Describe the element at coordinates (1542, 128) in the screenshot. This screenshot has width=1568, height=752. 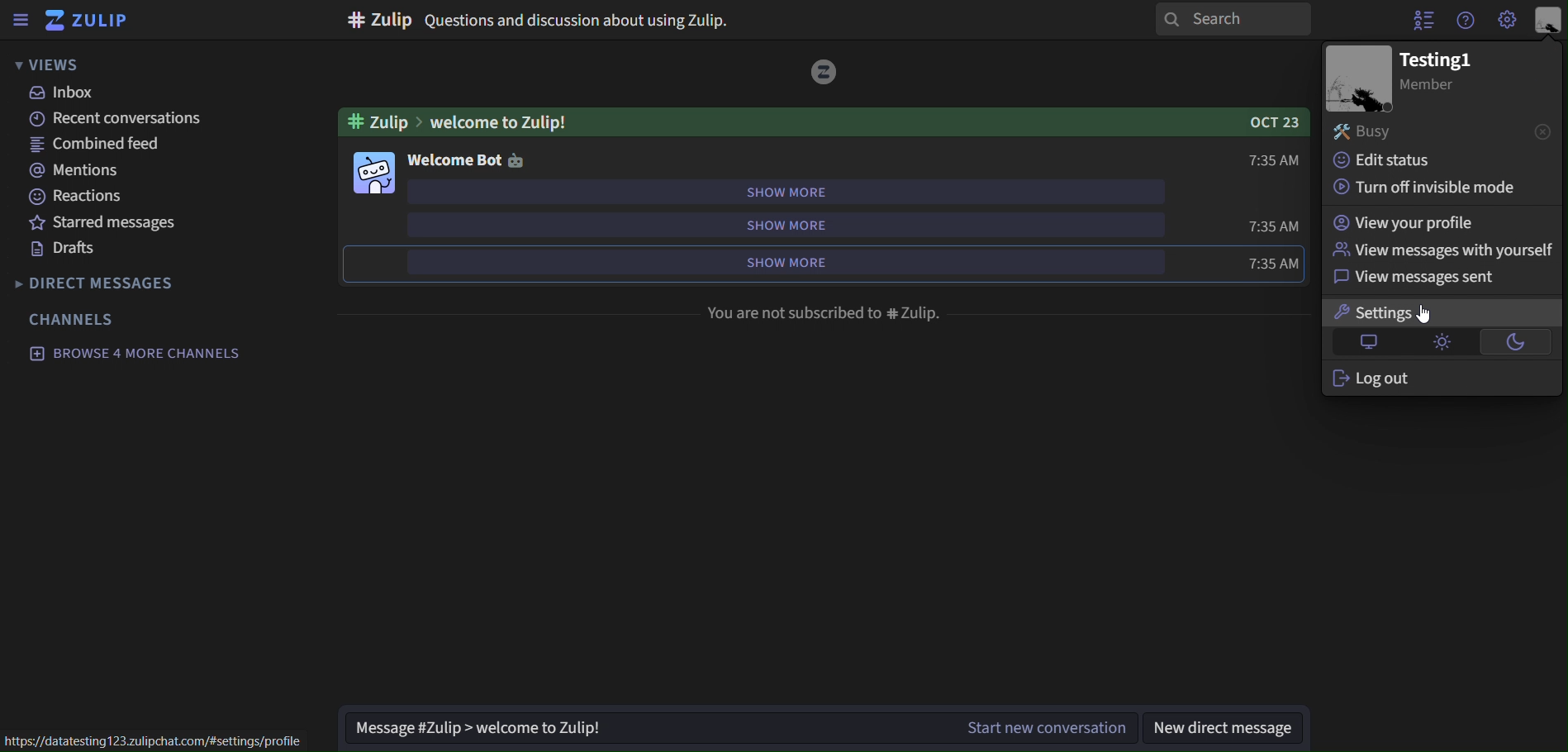
I see `close` at that location.